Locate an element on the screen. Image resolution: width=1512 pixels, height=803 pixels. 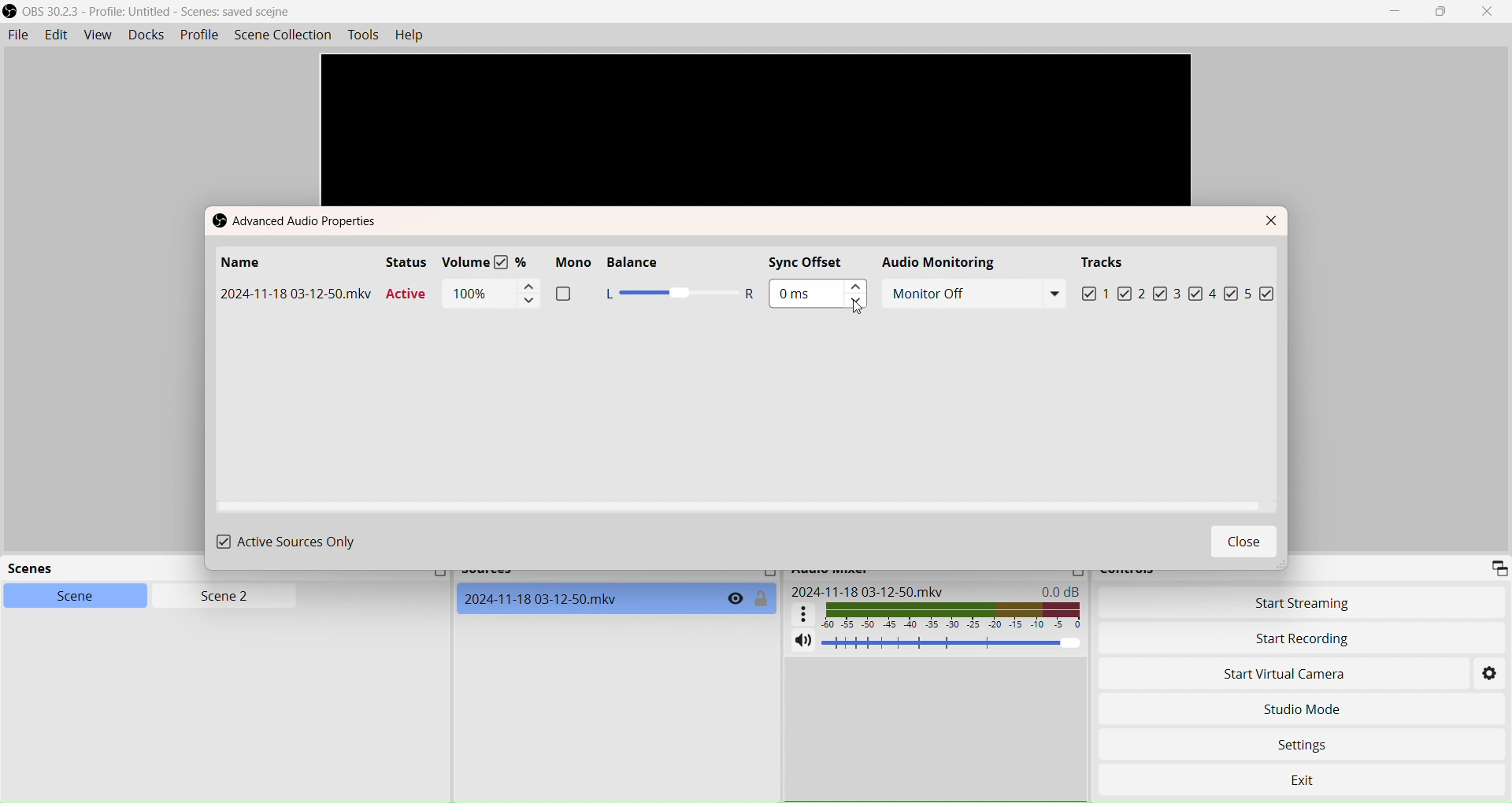
Sync Offset is located at coordinates (817, 261).